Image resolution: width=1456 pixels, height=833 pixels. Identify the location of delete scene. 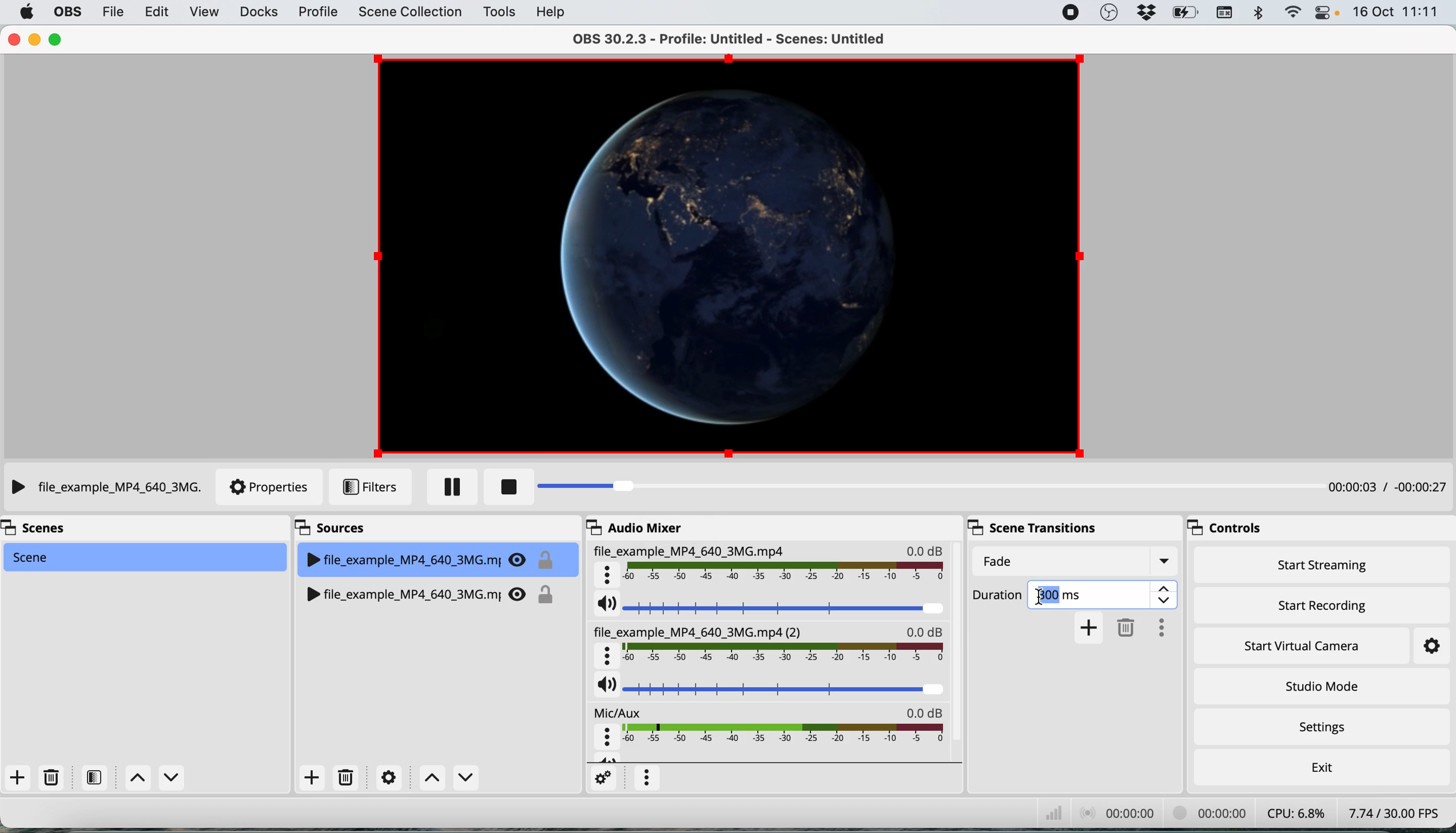
(51, 776).